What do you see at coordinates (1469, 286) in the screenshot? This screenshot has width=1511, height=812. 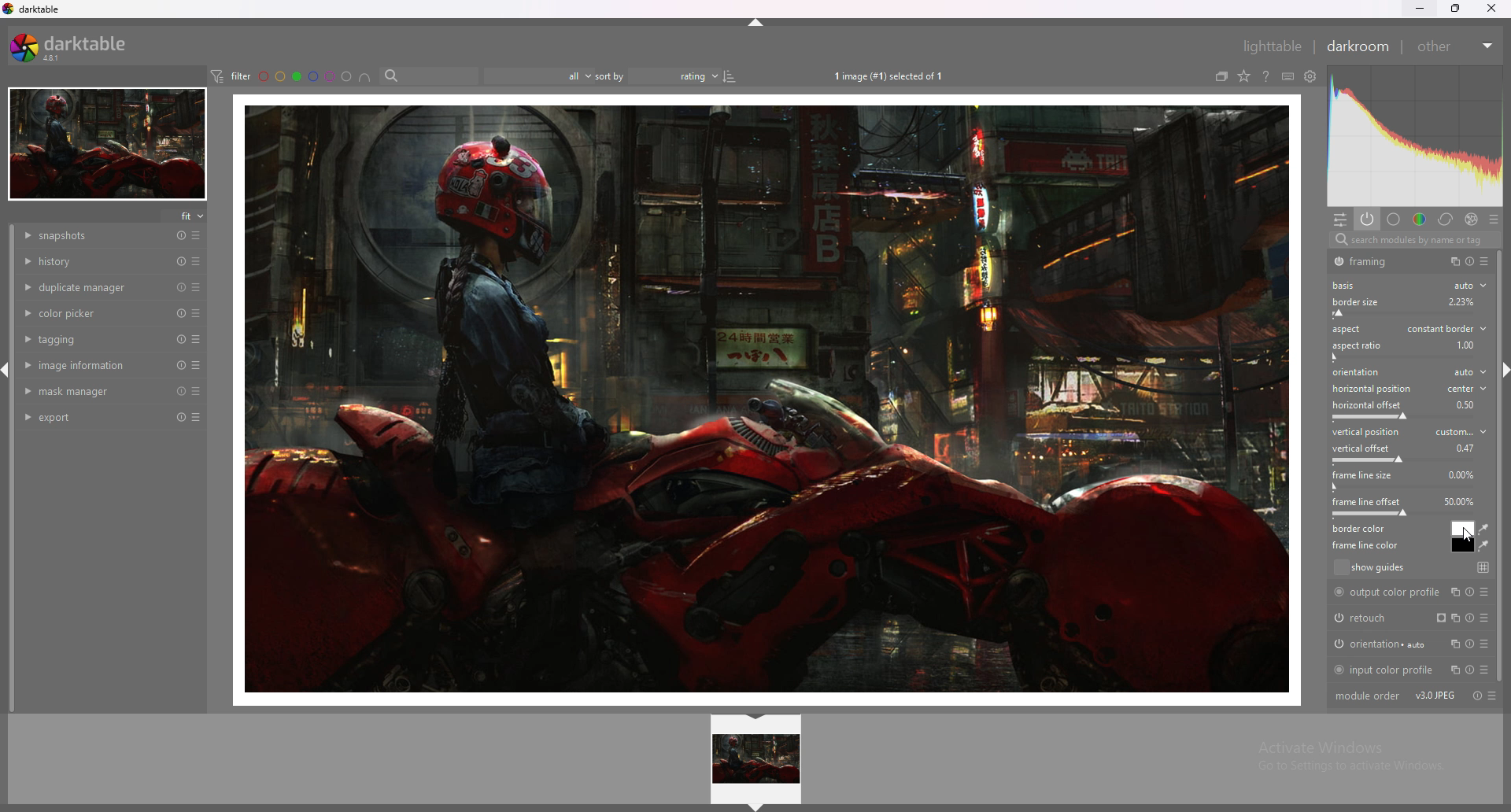 I see `auto` at bounding box center [1469, 286].